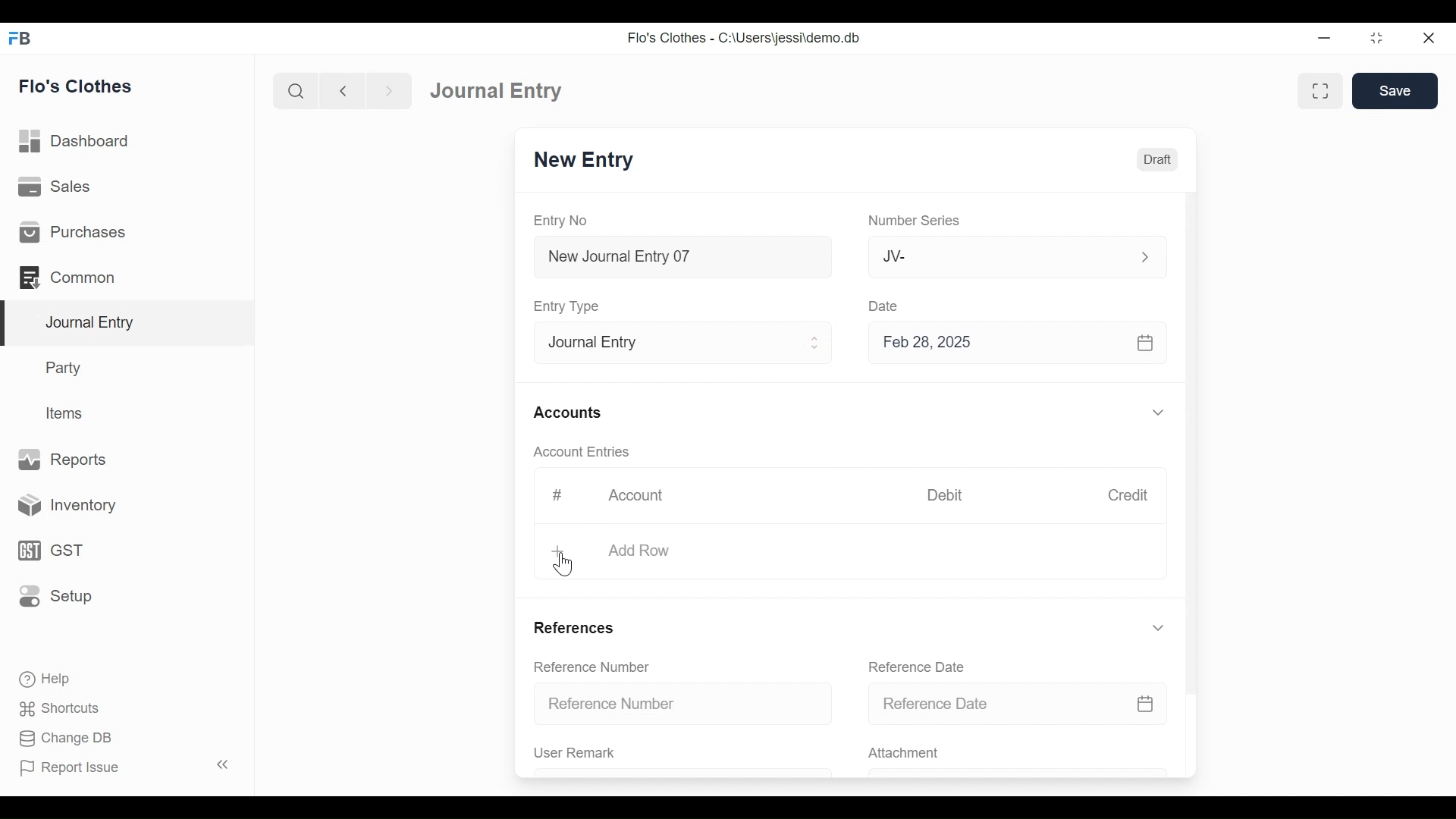 The height and width of the screenshot is (819, 1456). What do you see at coordinates (667, 704) in the screenshot?
I see `Reference Number` at bounding box center [667, 704].